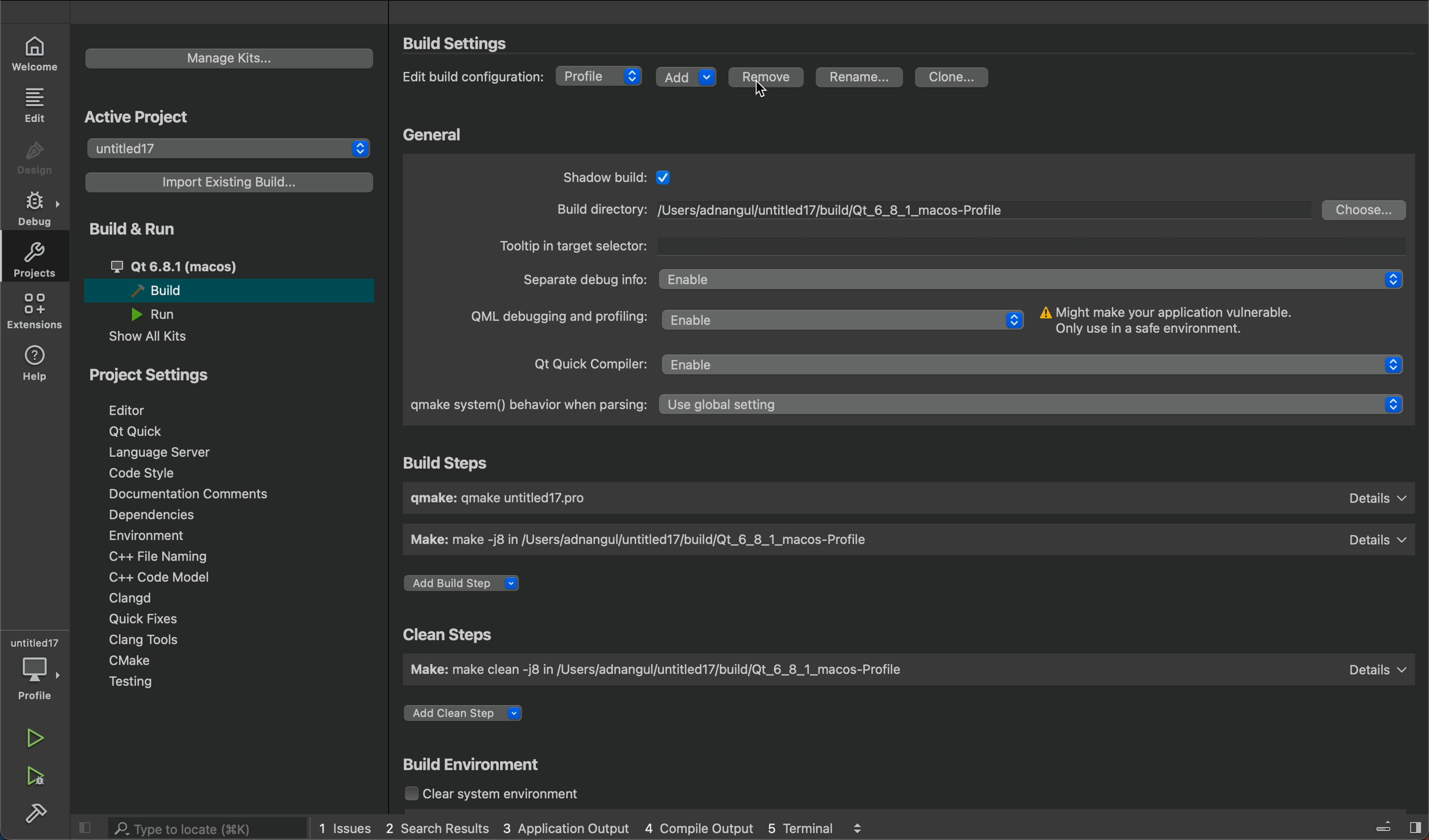 This screenshot has height=840, width=1429. What do you see at coordinates (36, 775) in the screenshot?
I see `run and debug` at bounding box center [36, 775].